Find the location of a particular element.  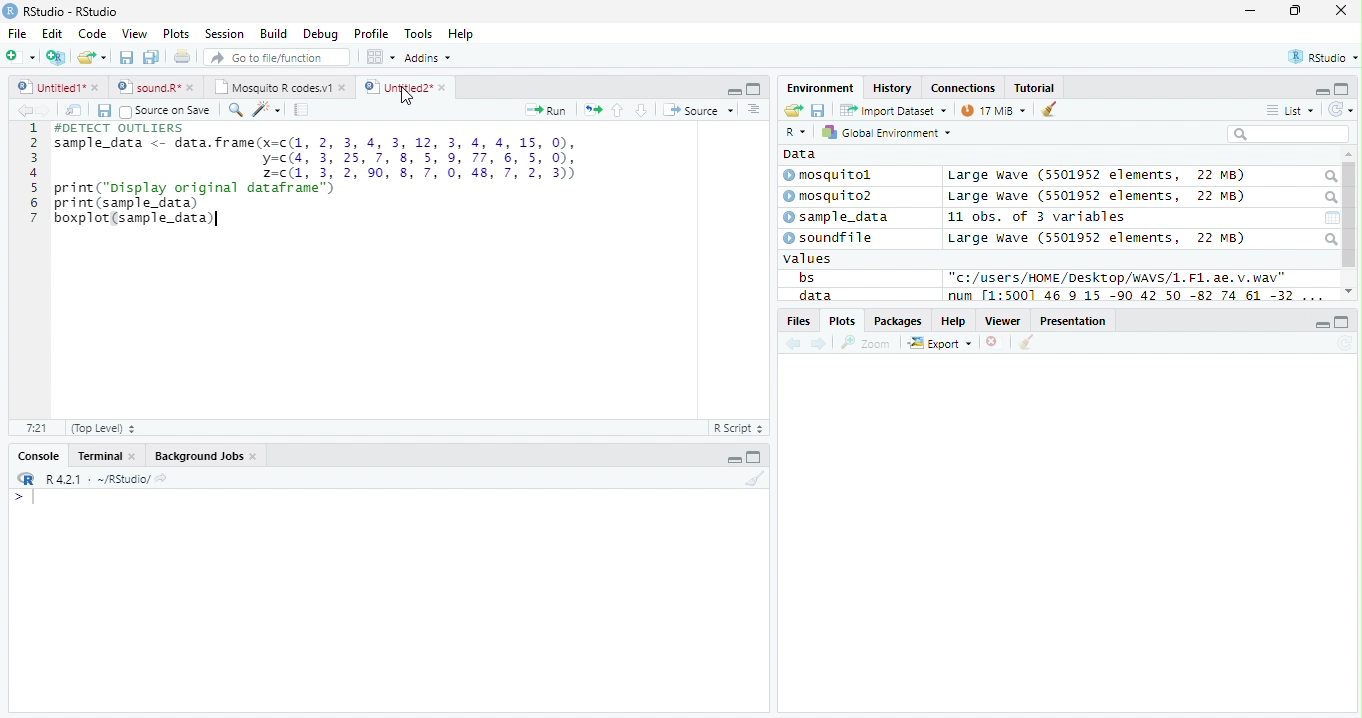

SEETECY ONTLIERS

sample_data <- data.frame(x—c(1, 2, 3, 4, 3, 12, 3, 4, 4, 15, 0),
y-c(4, 3, 25, 7, 8, 5, 9, 77, 6, 5, 0),
z=c(1, 3, 2, 9%, 8, 7, 0, 48, 7, 2, 3))

print("pisplay original dataframe™)

print (sample_data)

boxplot(sample_data)| is located at coordinates (318, 175).